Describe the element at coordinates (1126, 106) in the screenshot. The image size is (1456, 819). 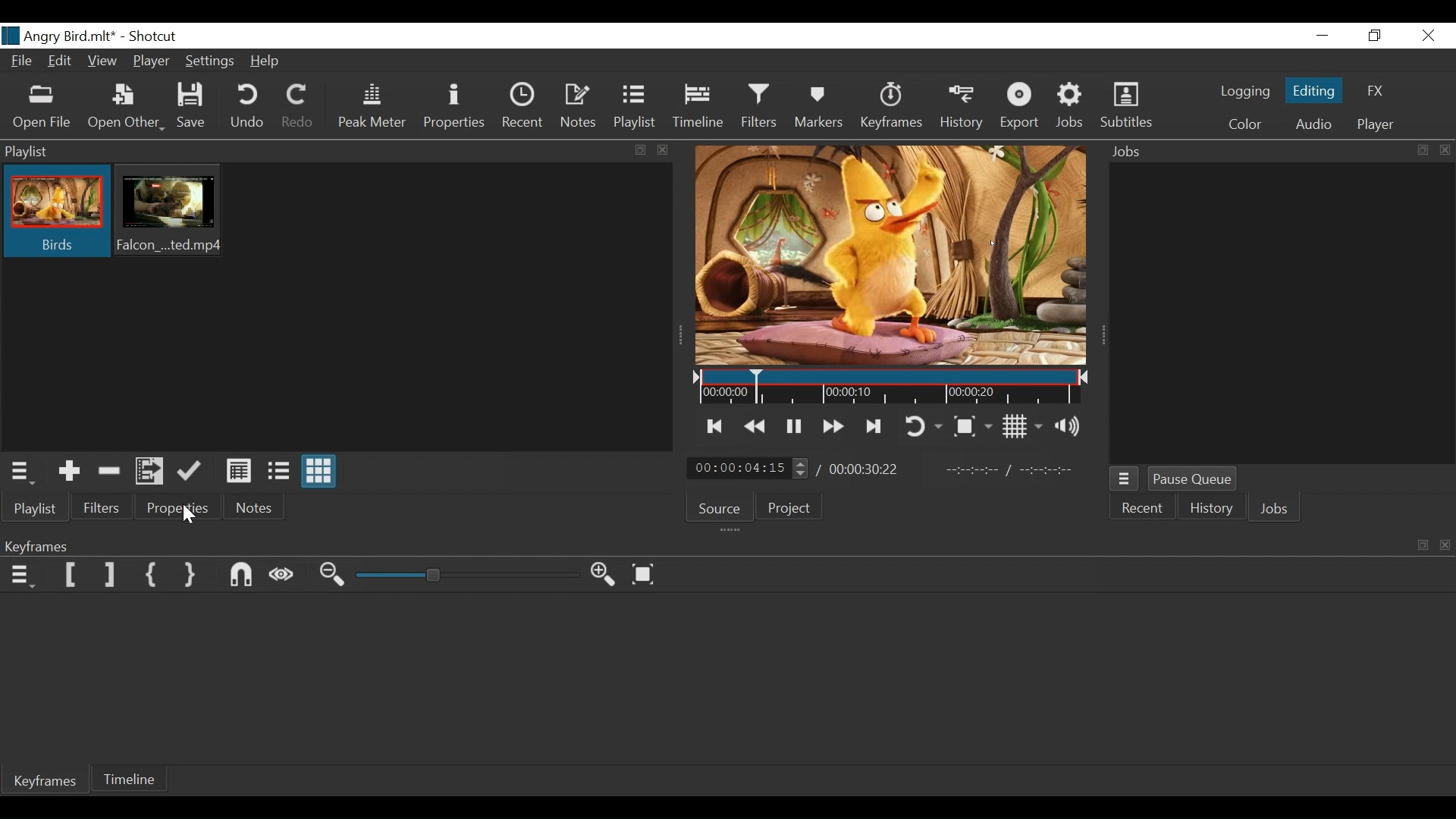
I see `Subtitles` at that location.